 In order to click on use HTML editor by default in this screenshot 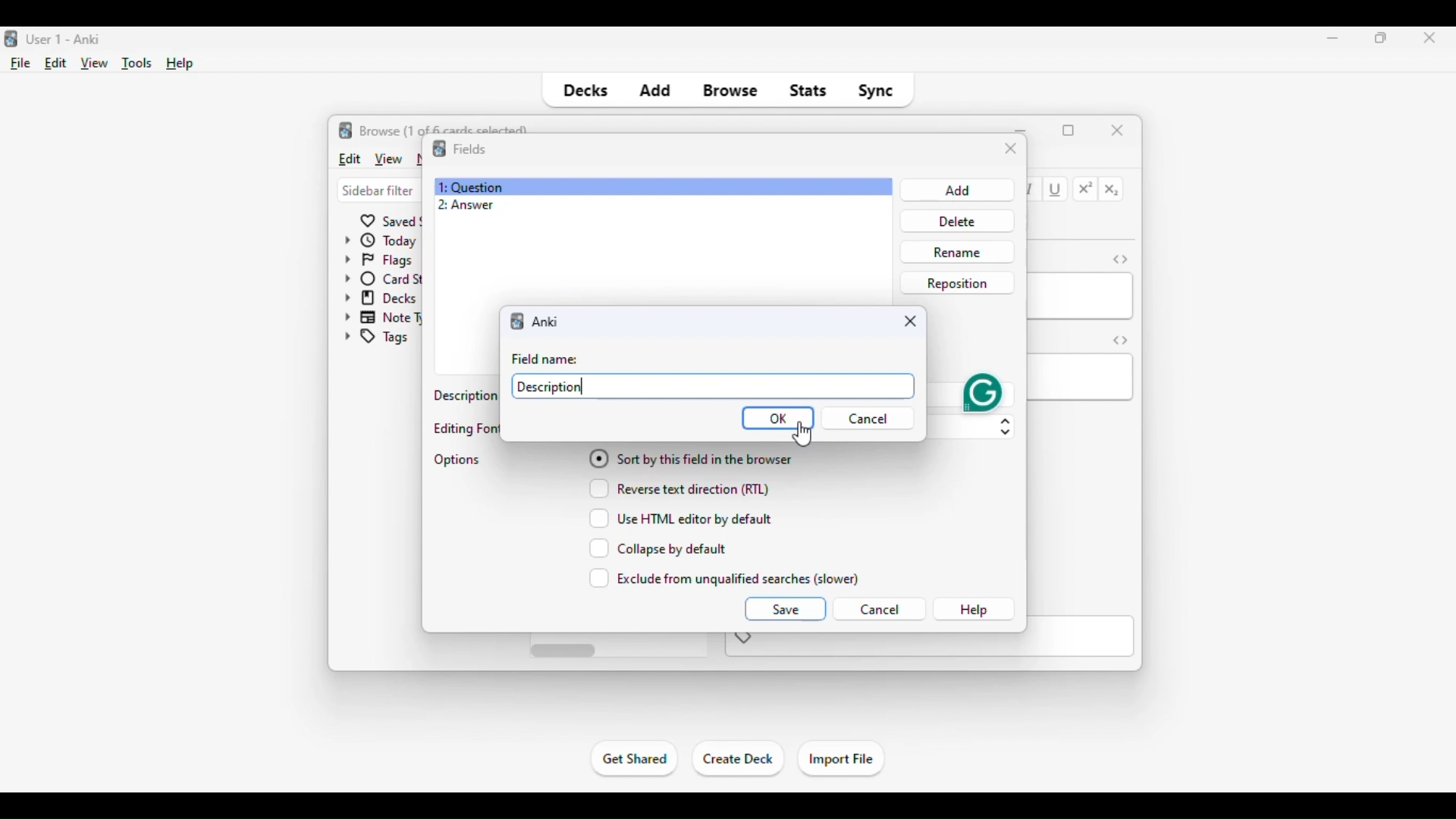, I will do `click(681, 518)`.